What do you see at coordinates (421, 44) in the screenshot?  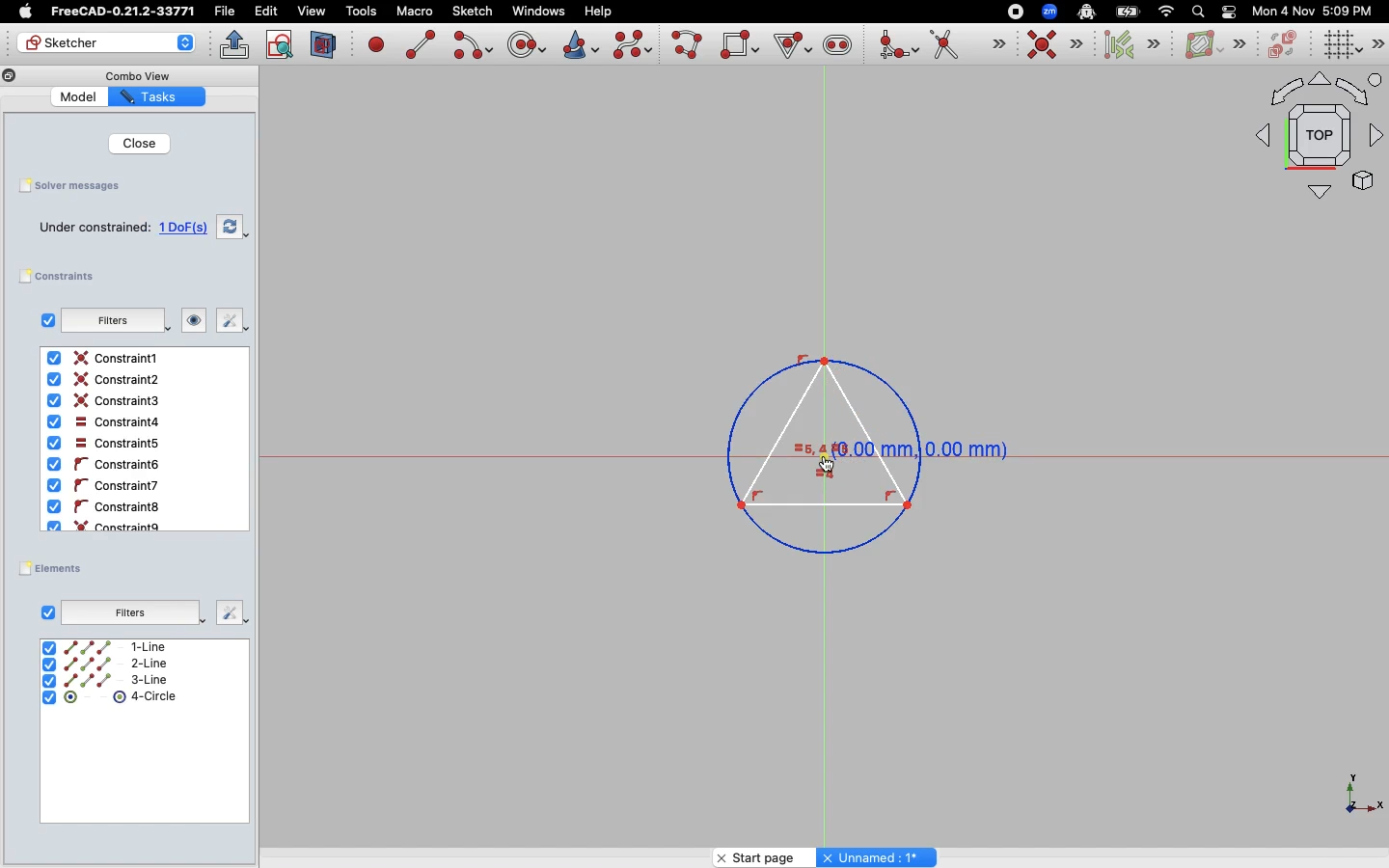 I see `Create line` at bounding box center [421, 44].